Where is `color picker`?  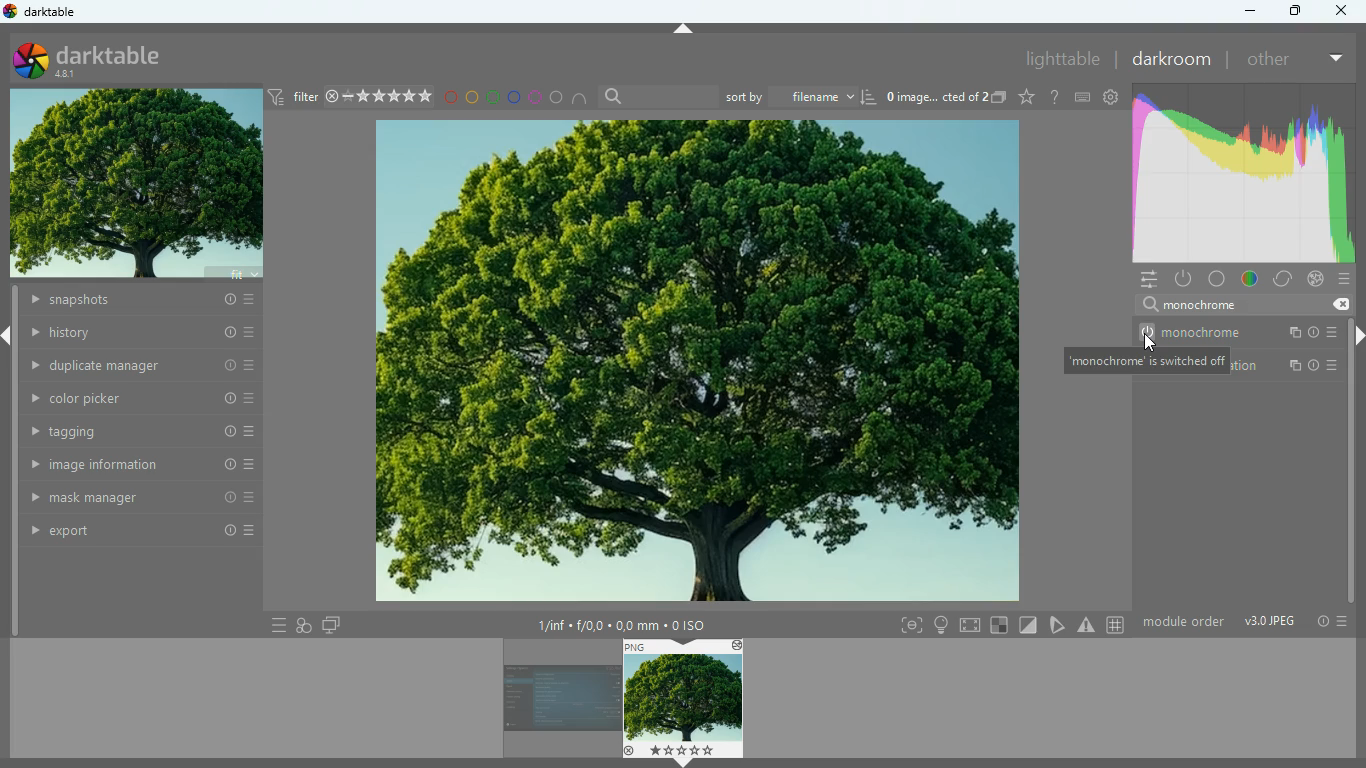 color picker is located at coordinates (143, 399).